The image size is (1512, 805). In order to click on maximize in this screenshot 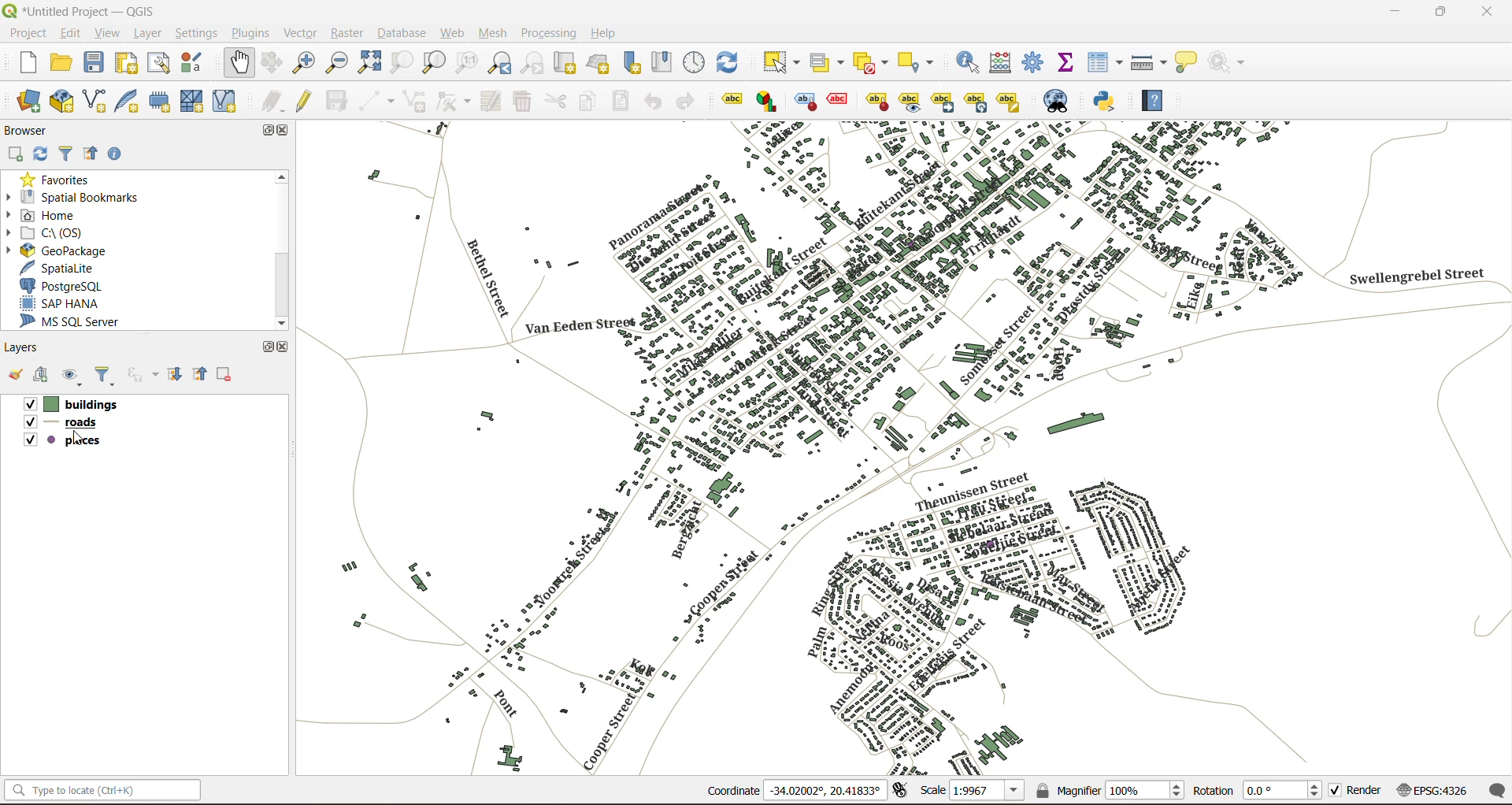, I will do `click(269, 132)`.